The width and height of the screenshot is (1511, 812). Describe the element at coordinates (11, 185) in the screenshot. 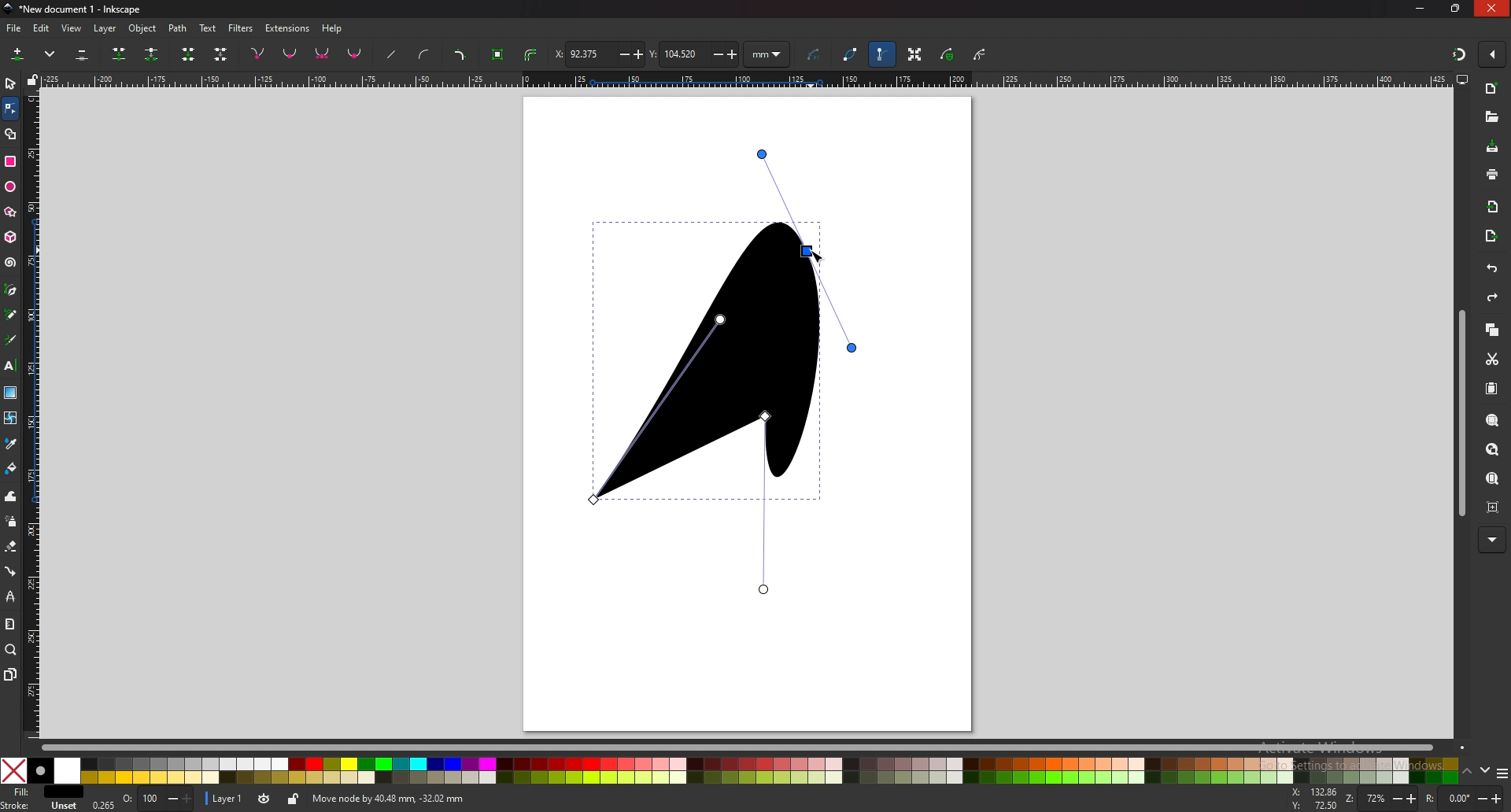

I see `ellipse` at that location.